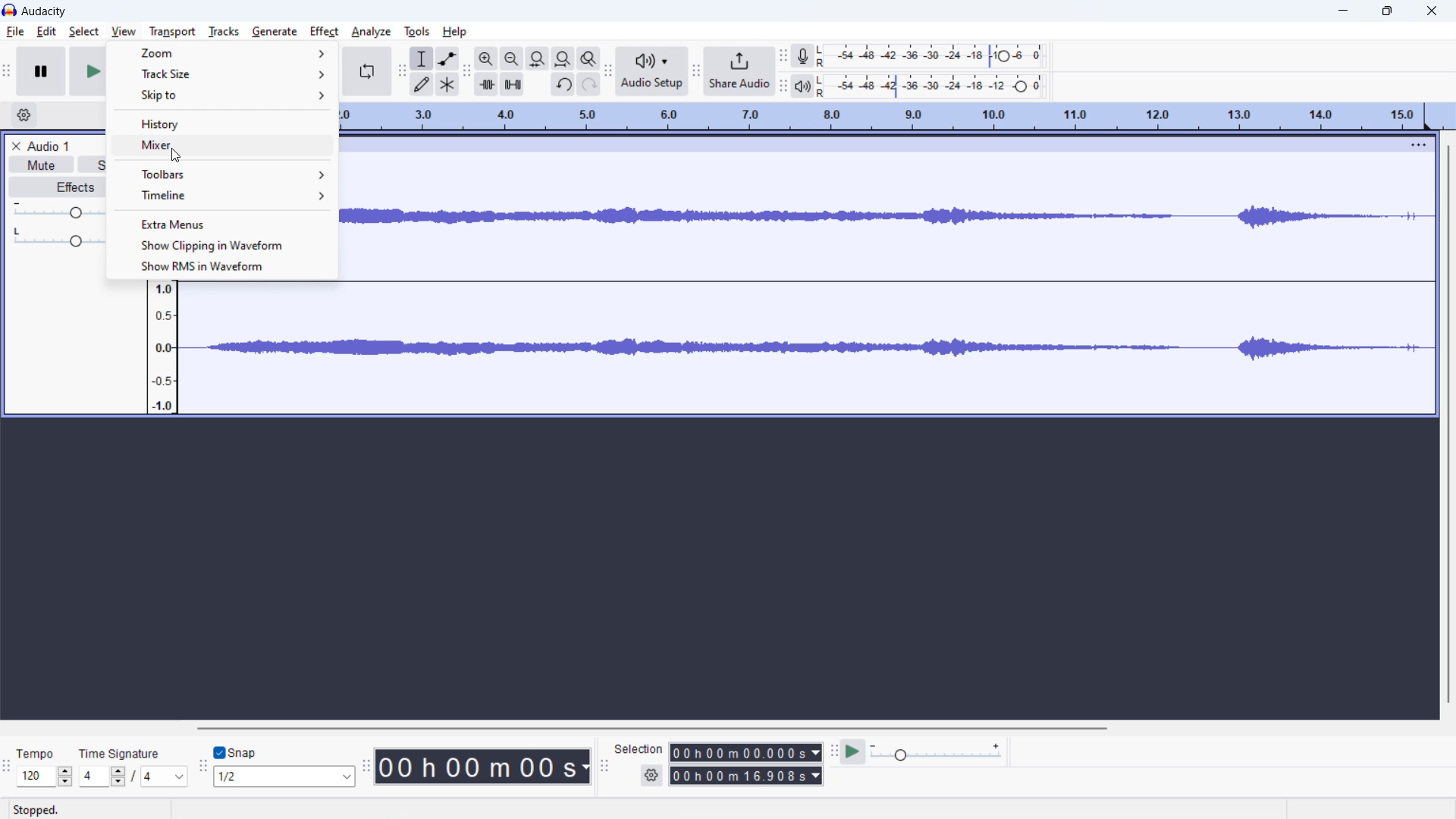 This screenshot has width=1456, height=819. I want to click on time stamp, so click(483, 767).